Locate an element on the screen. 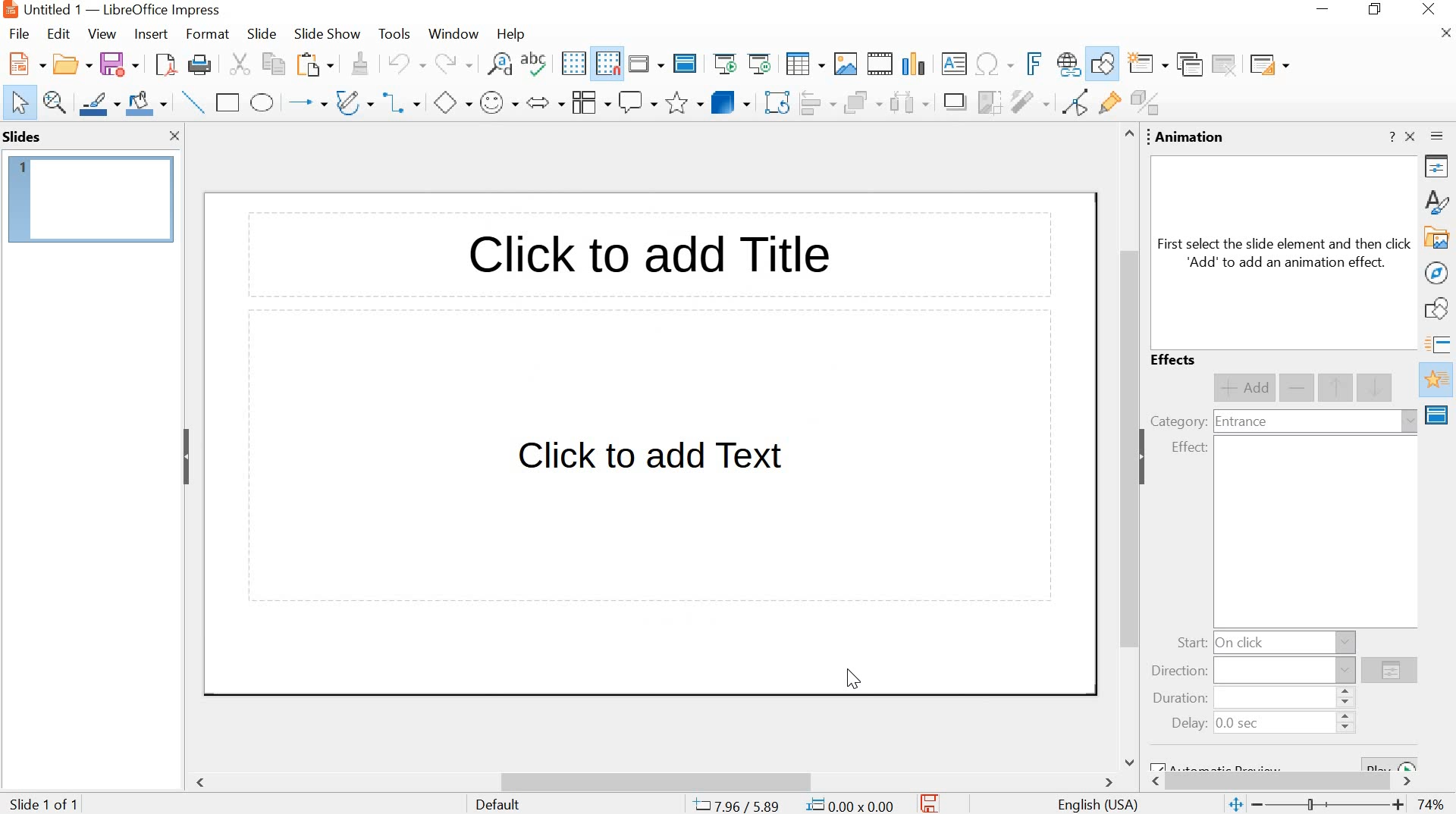 The height and width of the screenshot is (814, 1456). modify document is located at coordinates (930, 803).